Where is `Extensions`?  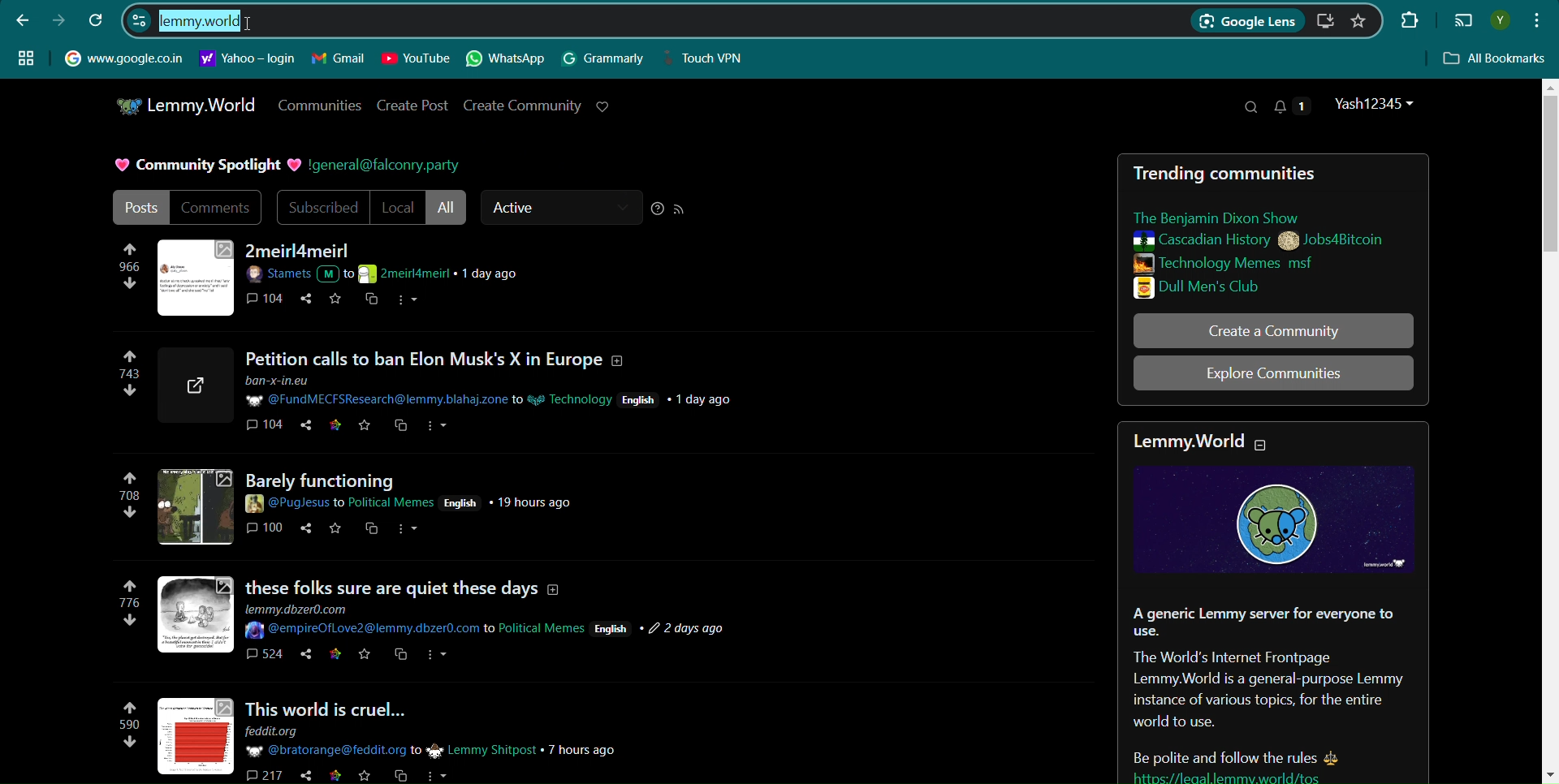
Extensions is located at coordinates (1407, 19).